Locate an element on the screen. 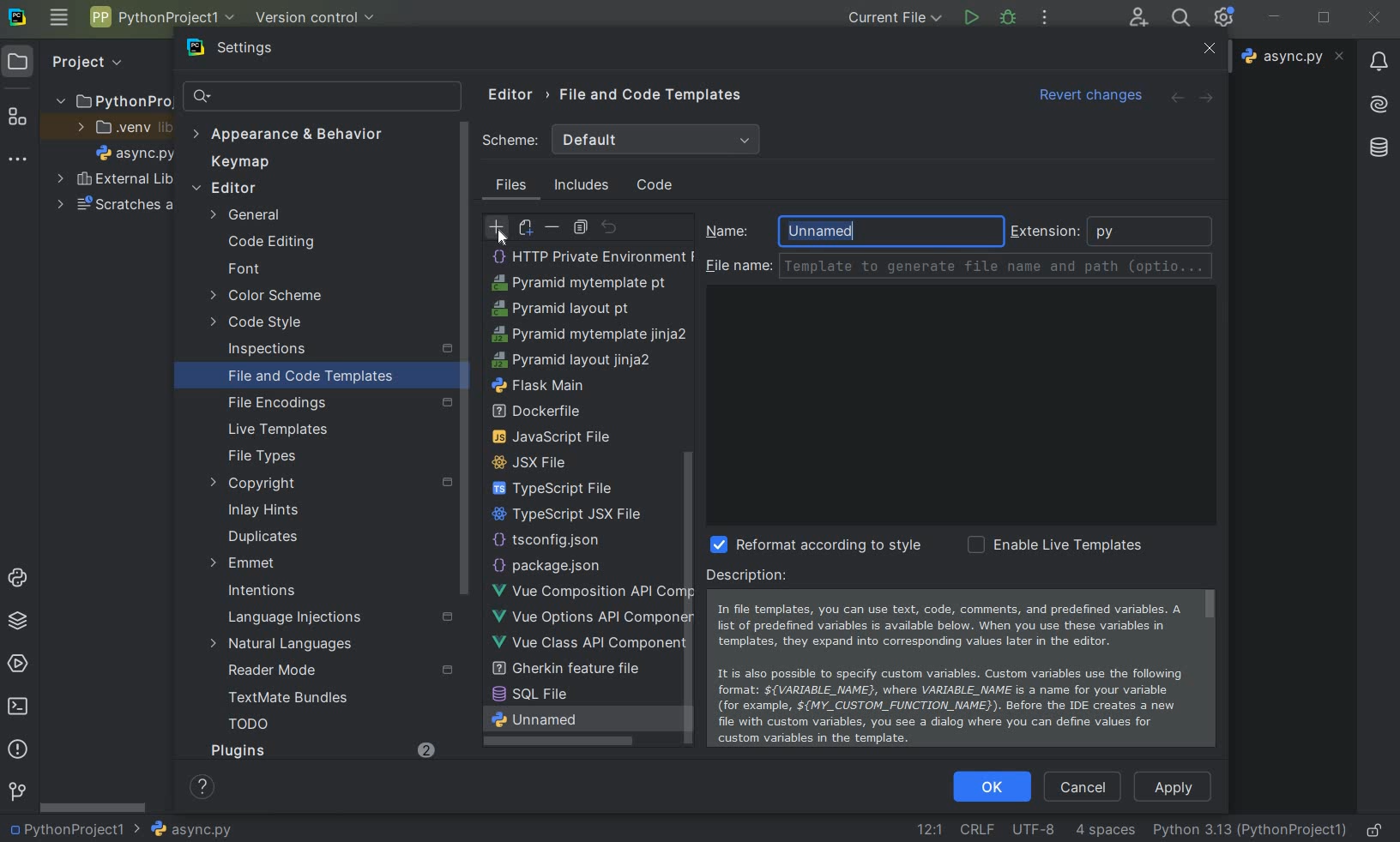 The height and width of the screenshot is (842, 1400). intentions is located at coordinates (277, 592).